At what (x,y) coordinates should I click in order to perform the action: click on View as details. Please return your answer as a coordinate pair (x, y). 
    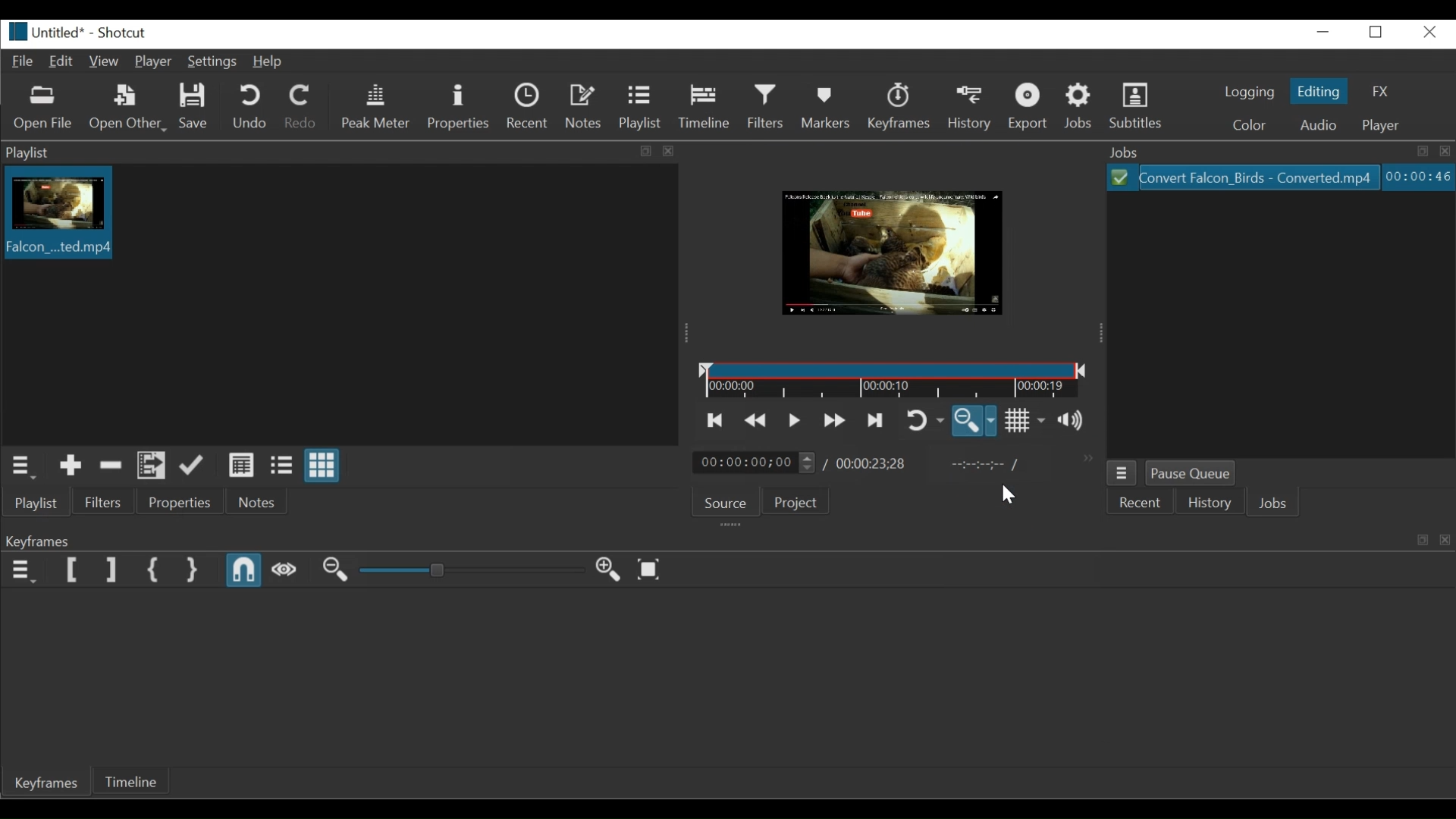
    Looking at the image, I should click on (242, 466).